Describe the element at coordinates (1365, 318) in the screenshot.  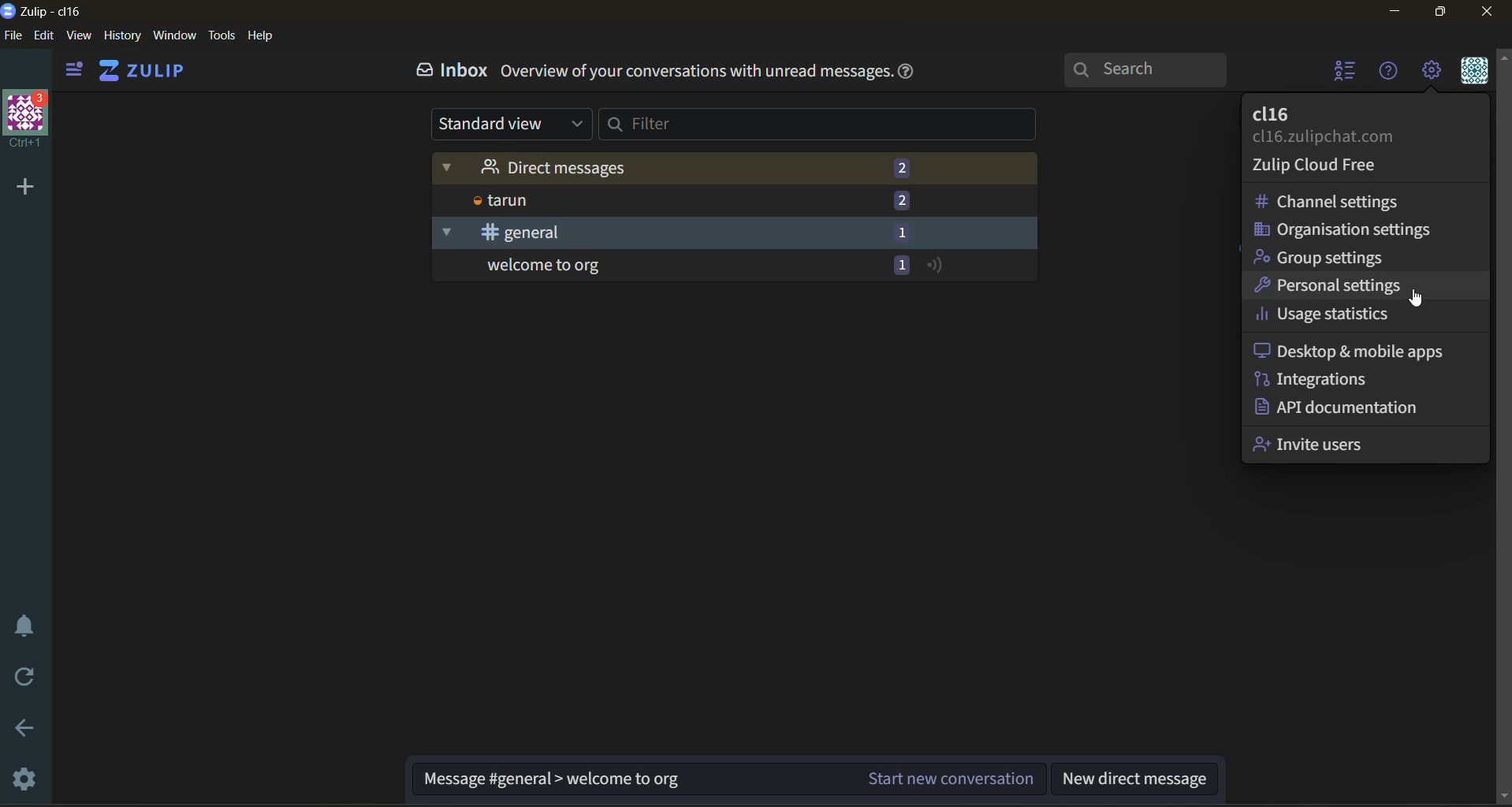
I see `usage statistics` at that location.